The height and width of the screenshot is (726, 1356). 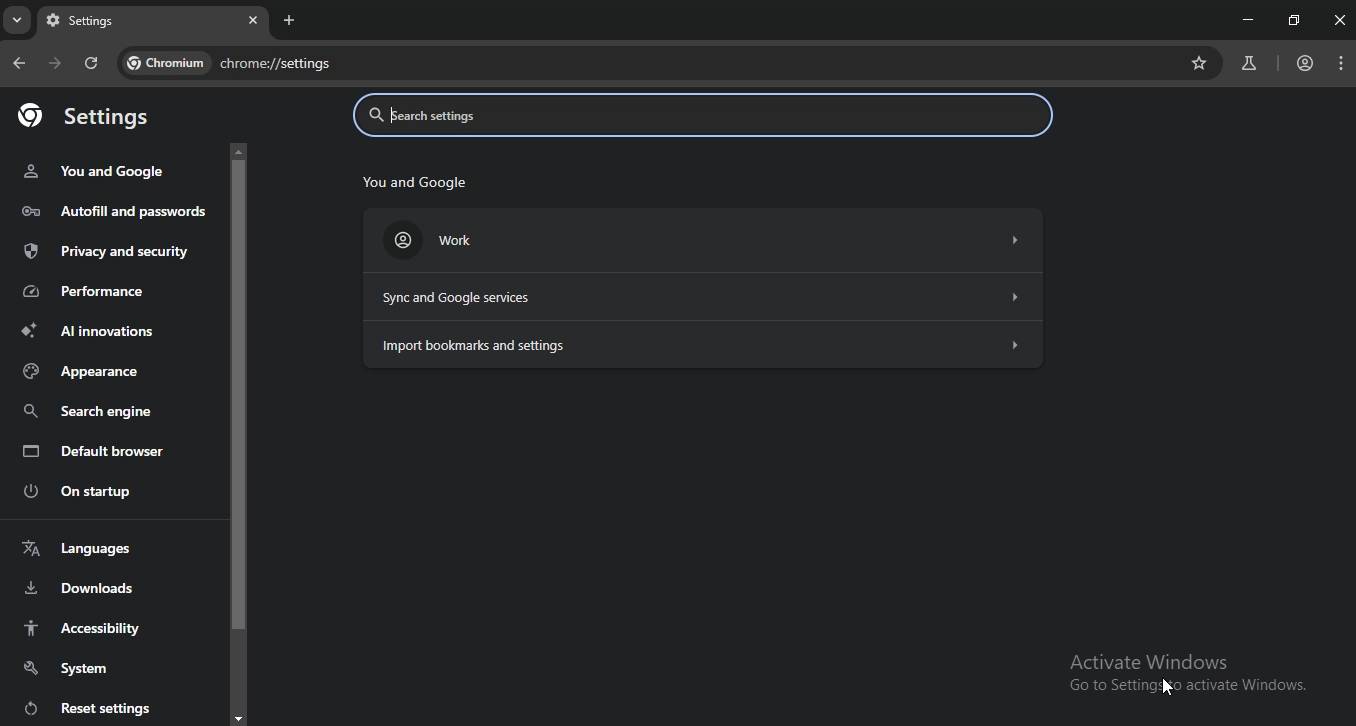 I want to click on import bookmarks and settings, so click(x=700, y=344).